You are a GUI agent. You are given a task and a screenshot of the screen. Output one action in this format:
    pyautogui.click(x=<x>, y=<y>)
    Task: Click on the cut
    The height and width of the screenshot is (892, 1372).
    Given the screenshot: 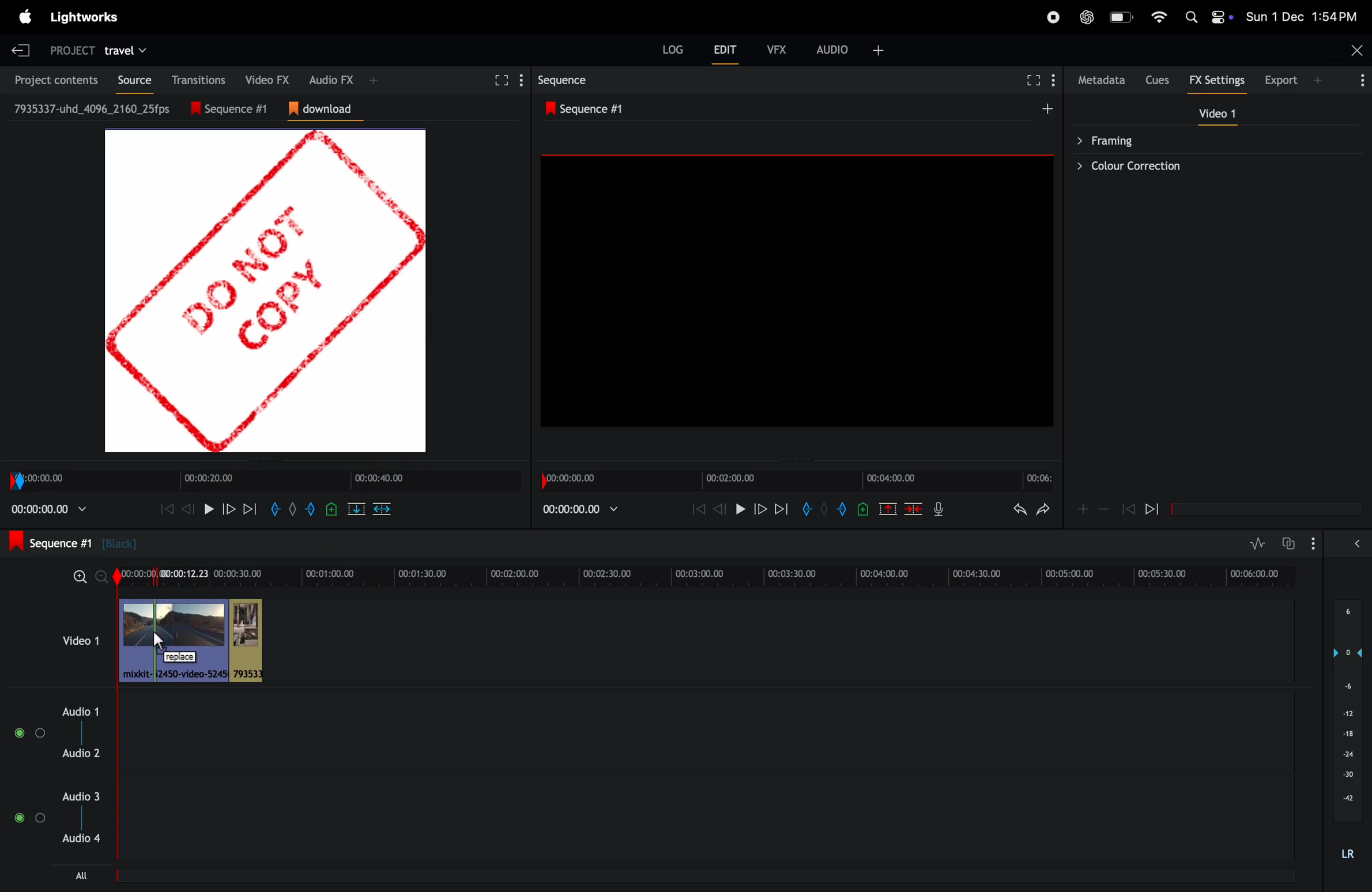 What is the action you would take?
    pyautogui.click(x=888, y=508)
    